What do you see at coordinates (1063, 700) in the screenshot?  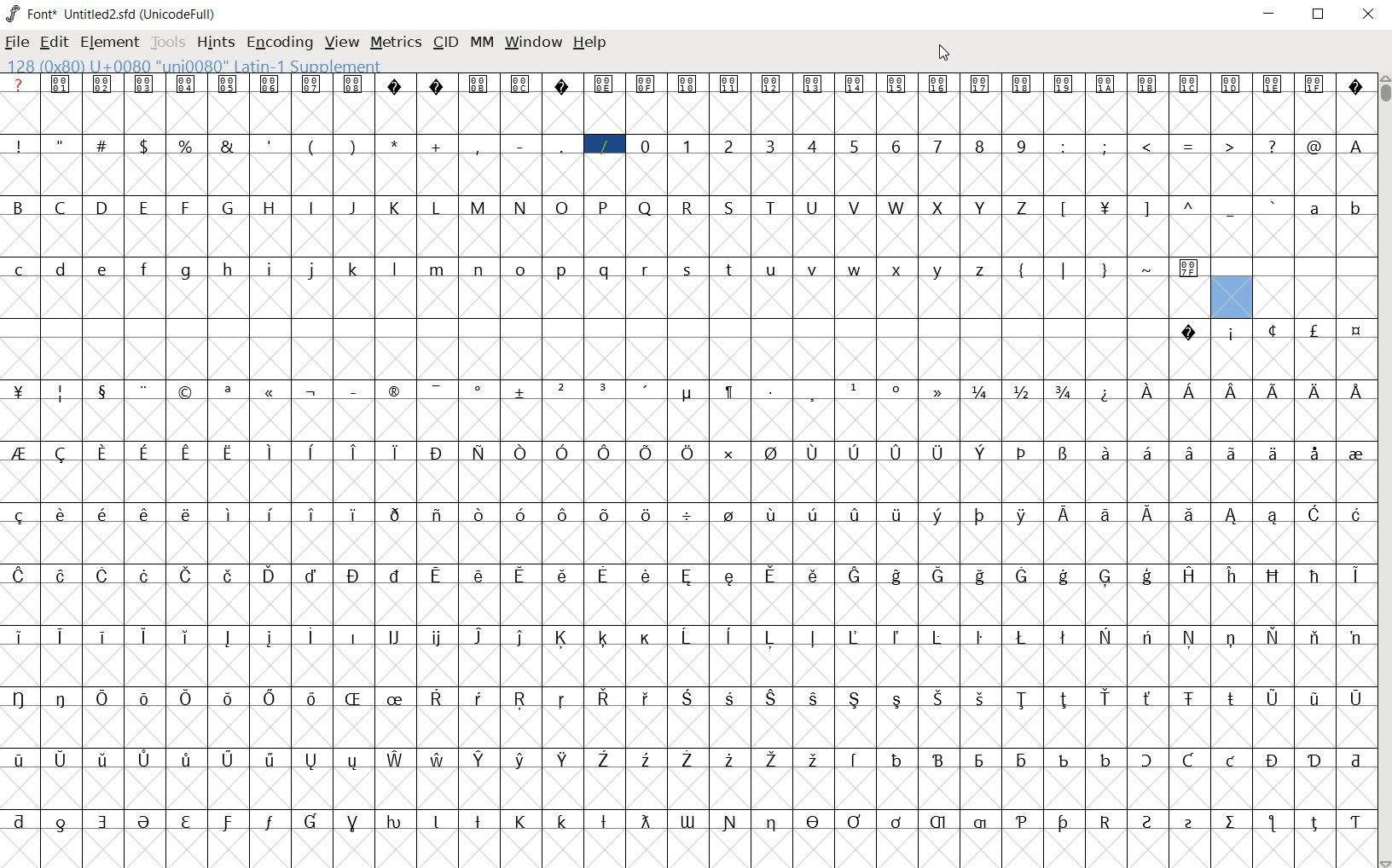 I see `glyph` at bounding box center [1063, 700].